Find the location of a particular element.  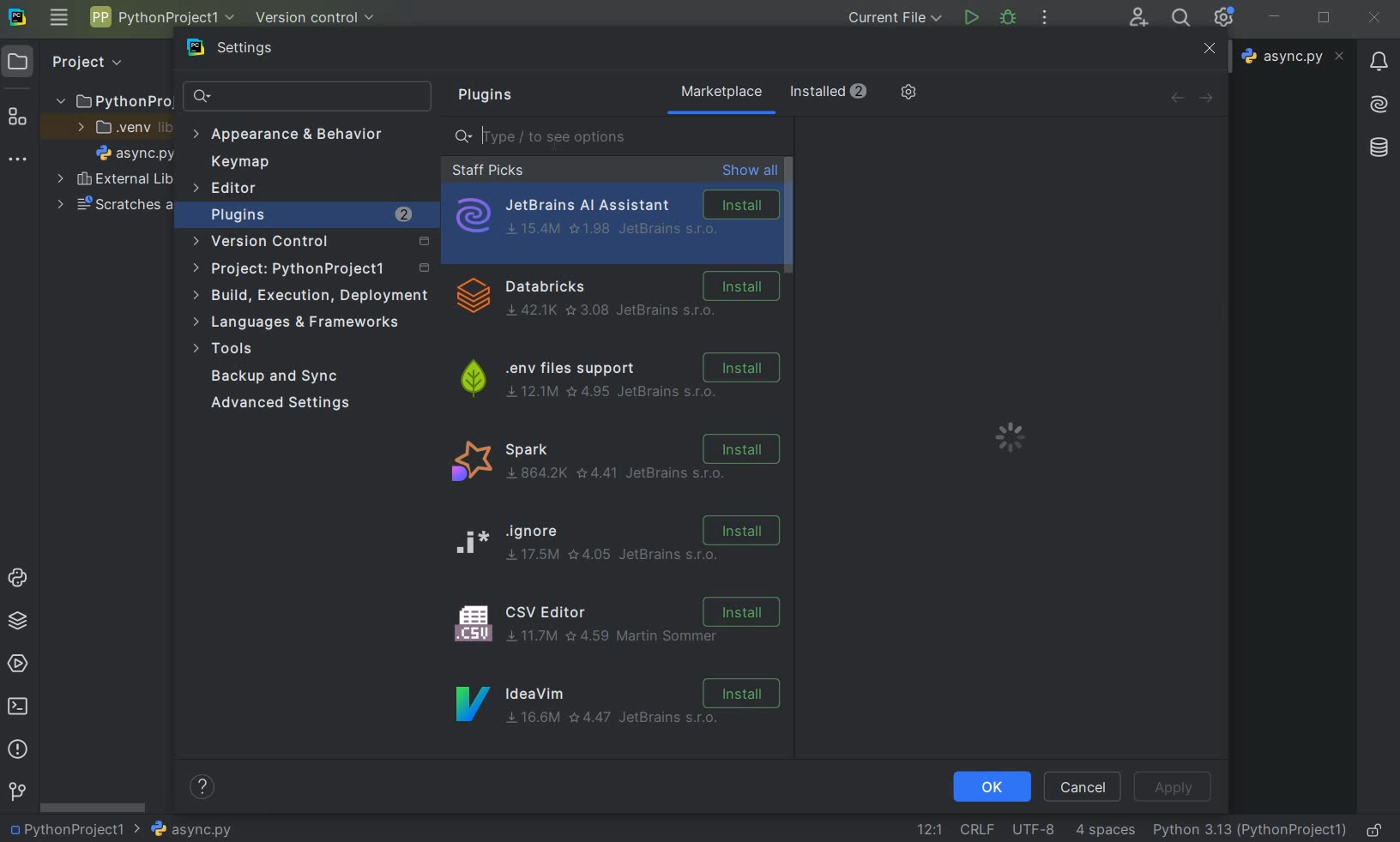

forward is located at coordinates (1211, 98).